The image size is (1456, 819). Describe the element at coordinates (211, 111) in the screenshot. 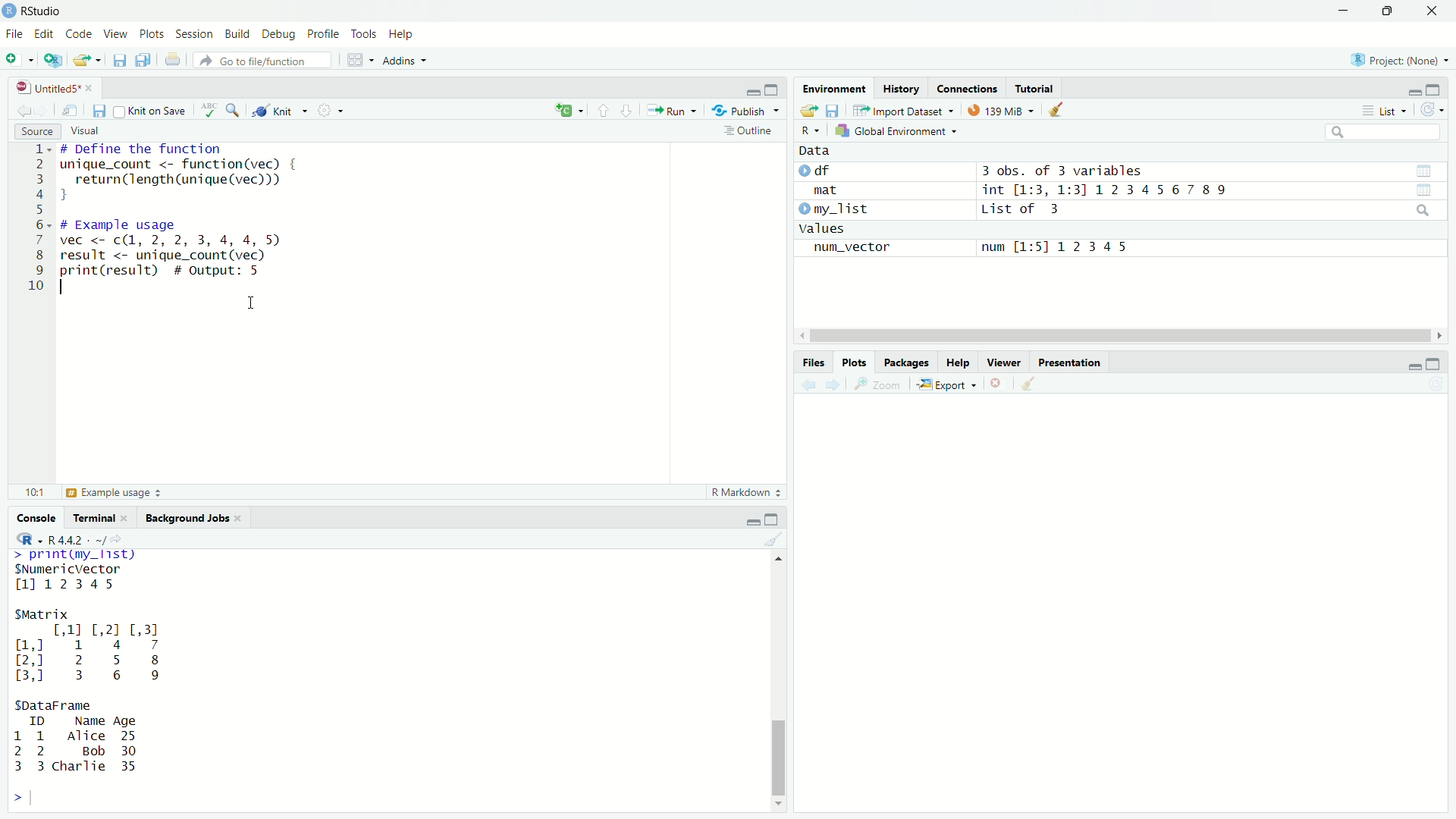

I see `check spelling` at that location.